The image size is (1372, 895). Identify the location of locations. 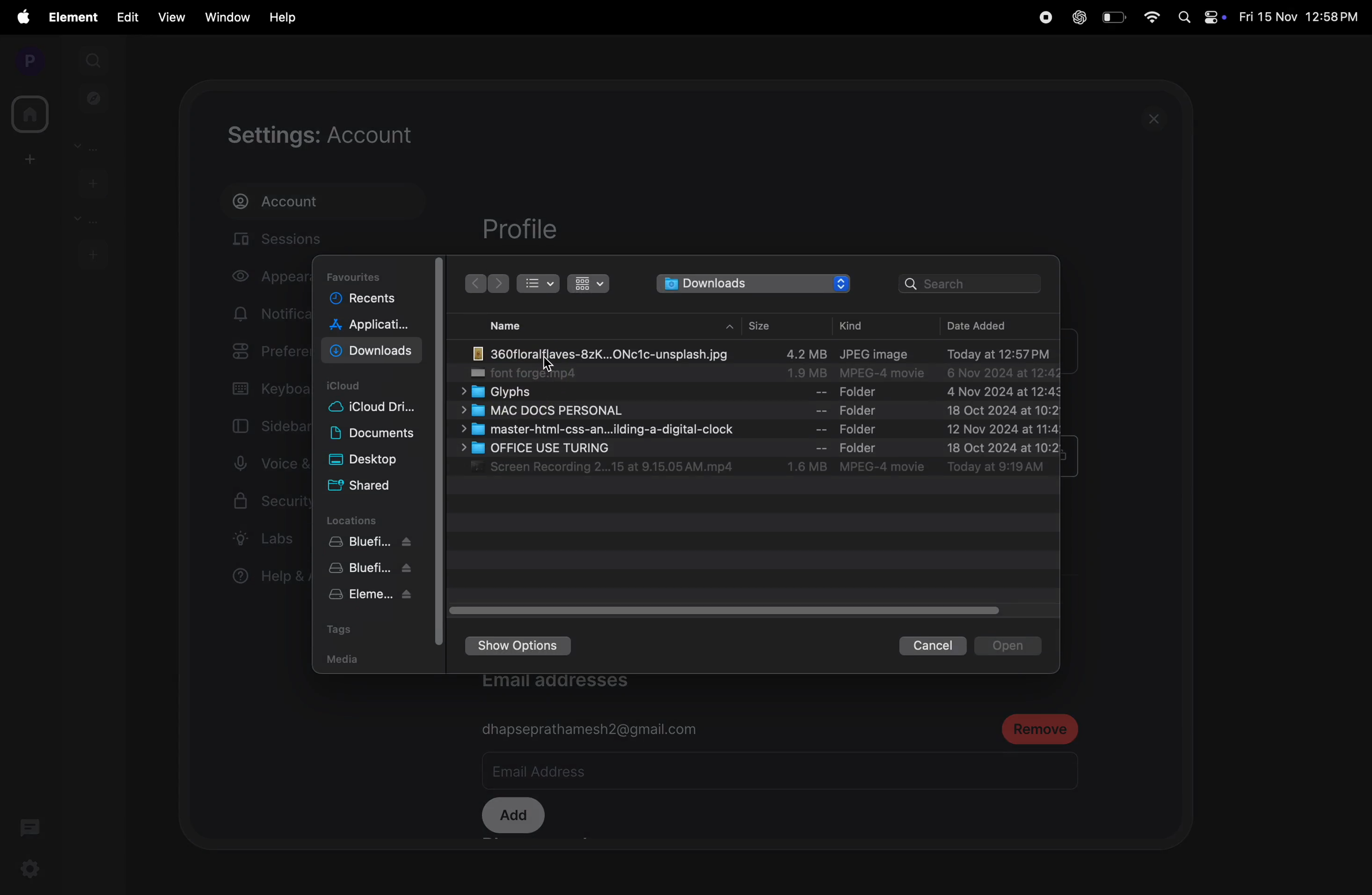
(367, 519).